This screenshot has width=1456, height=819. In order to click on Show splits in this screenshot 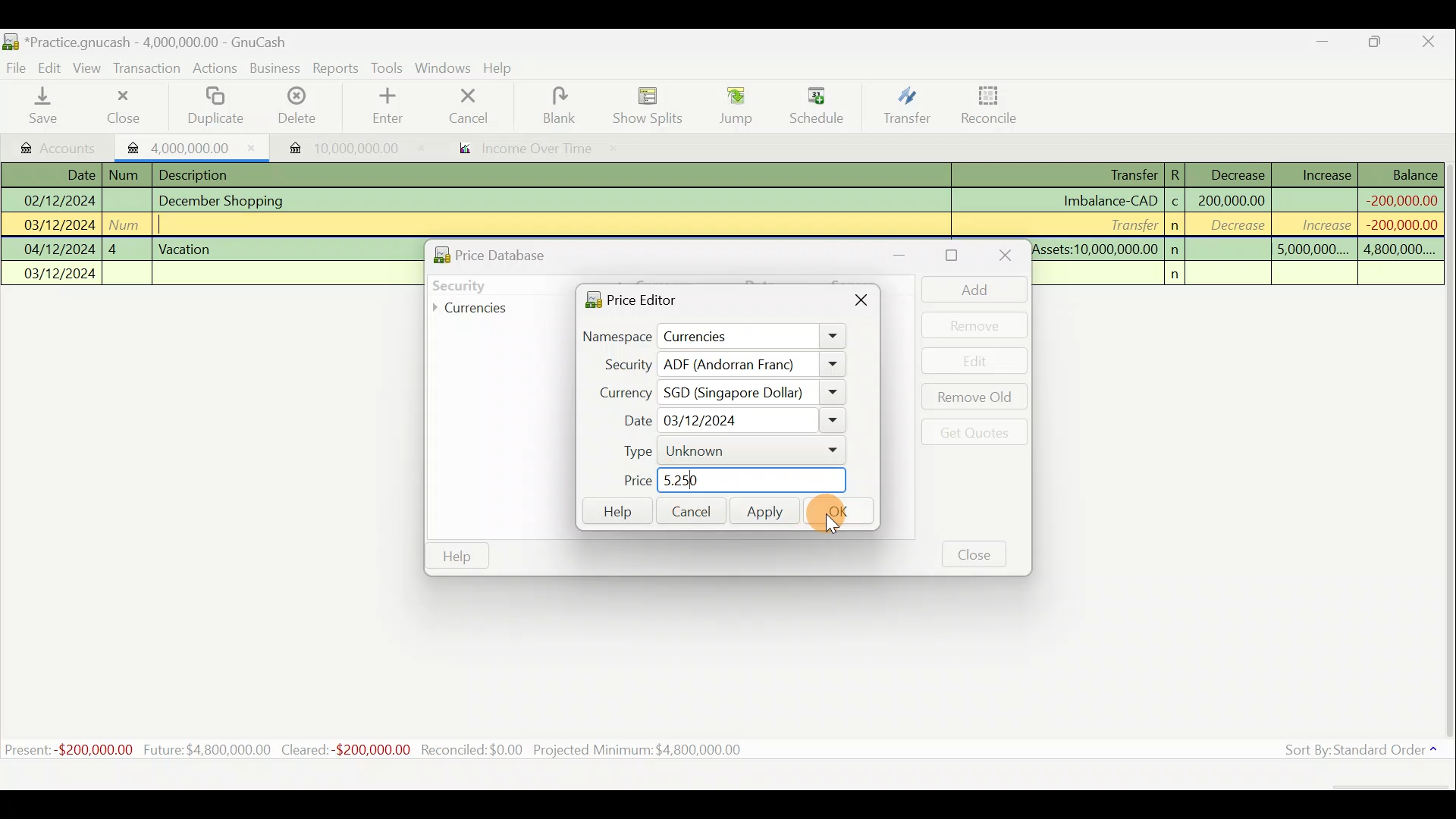, I will do `click(649, 105)`.